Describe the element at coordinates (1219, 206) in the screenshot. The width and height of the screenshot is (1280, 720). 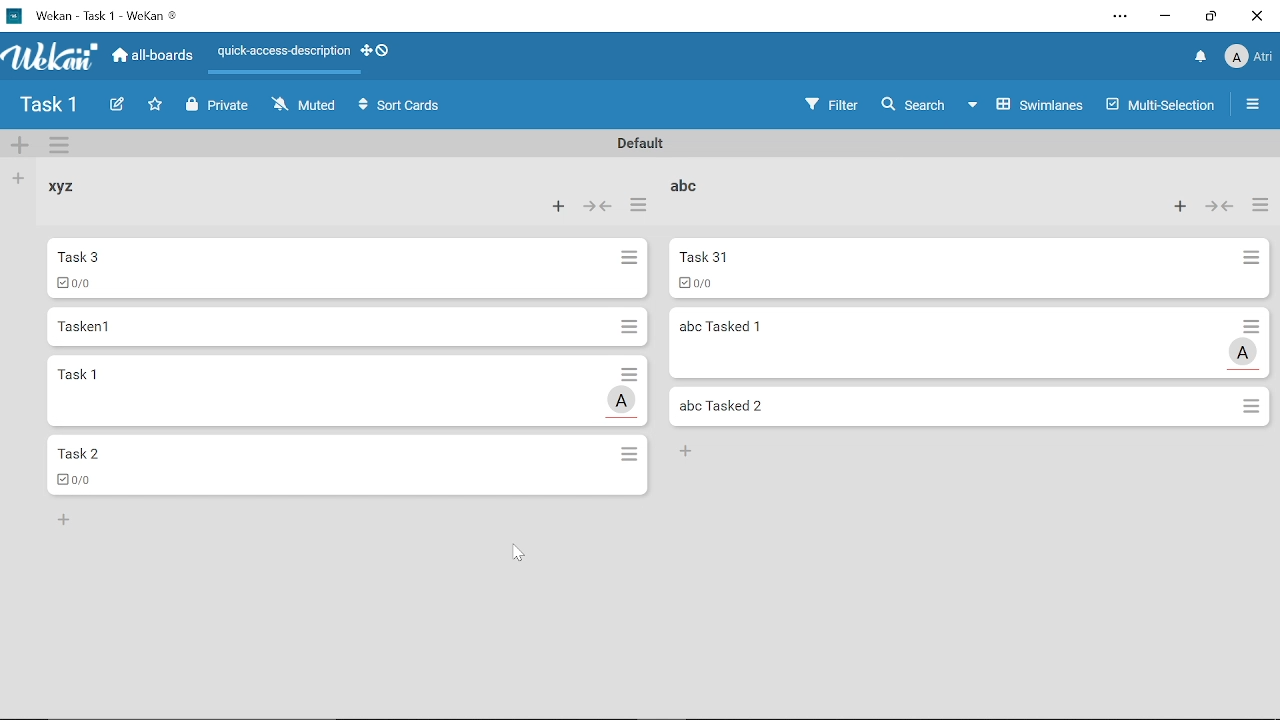
I see `Forward/back` at that location.